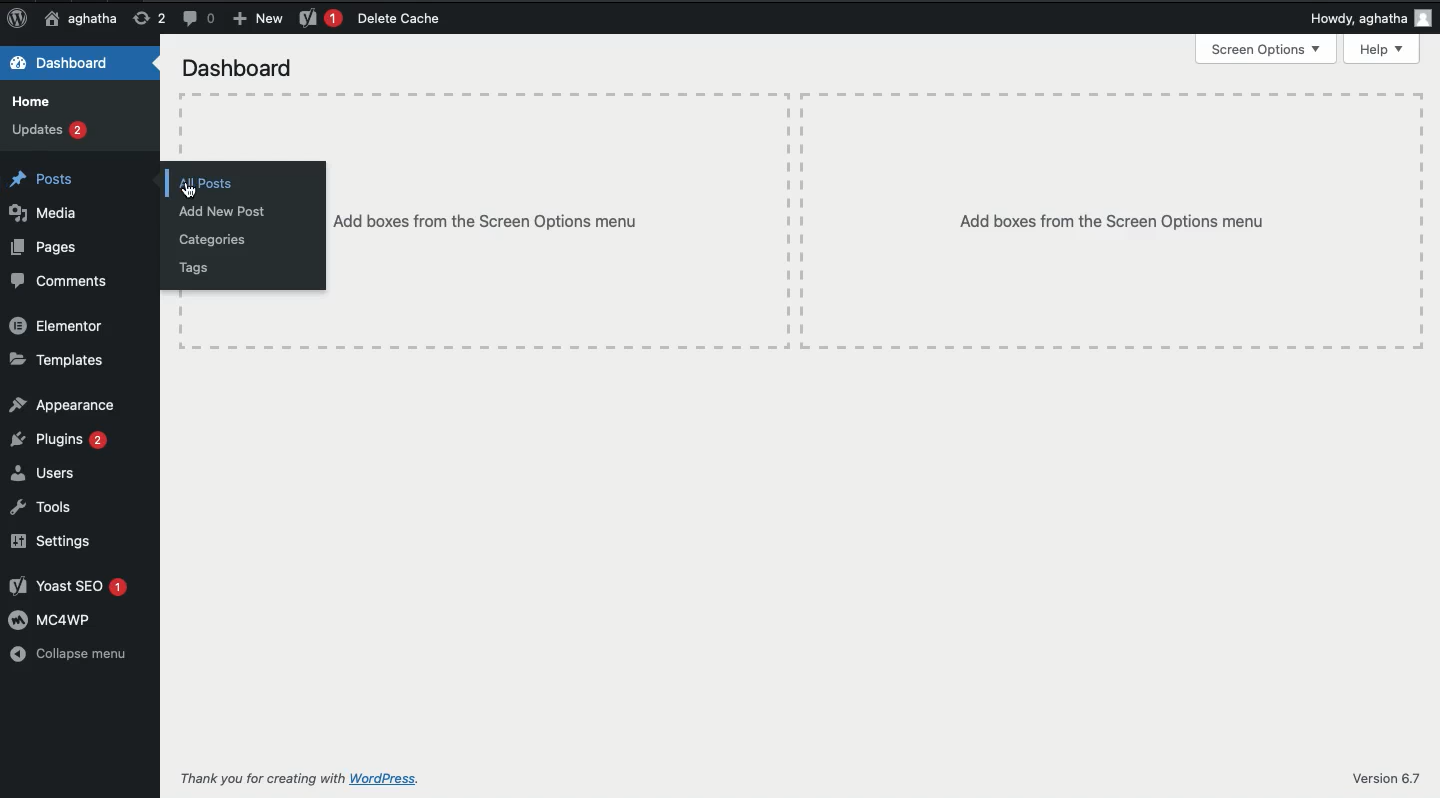 This screenshot has width=1440, height=798. Describe the element at coordinates (1263, 50) in the screenshot. I see `Screen Options` at that location.